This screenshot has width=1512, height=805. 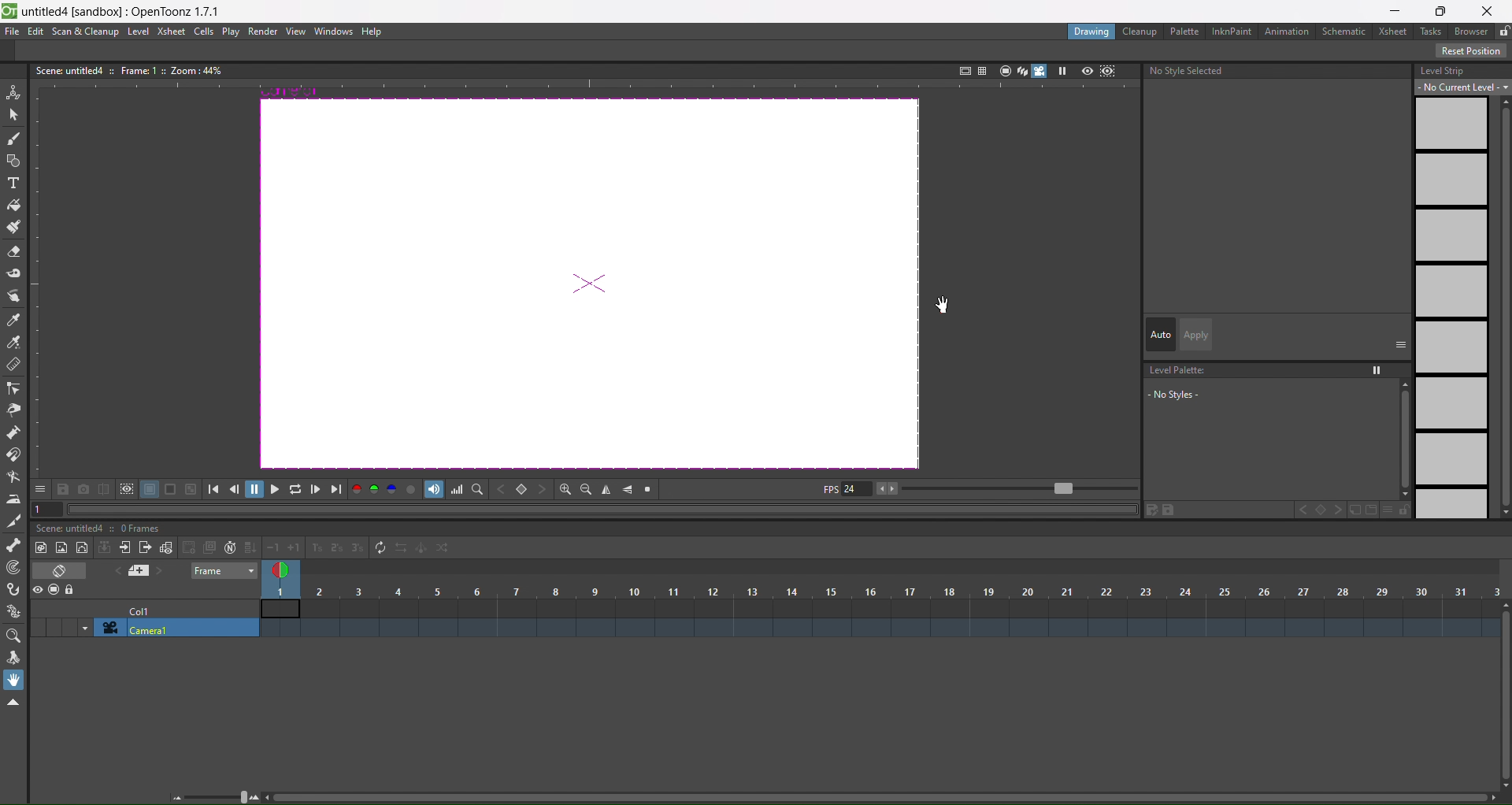 I want to click on Cursor, so click(x=943, y=305).